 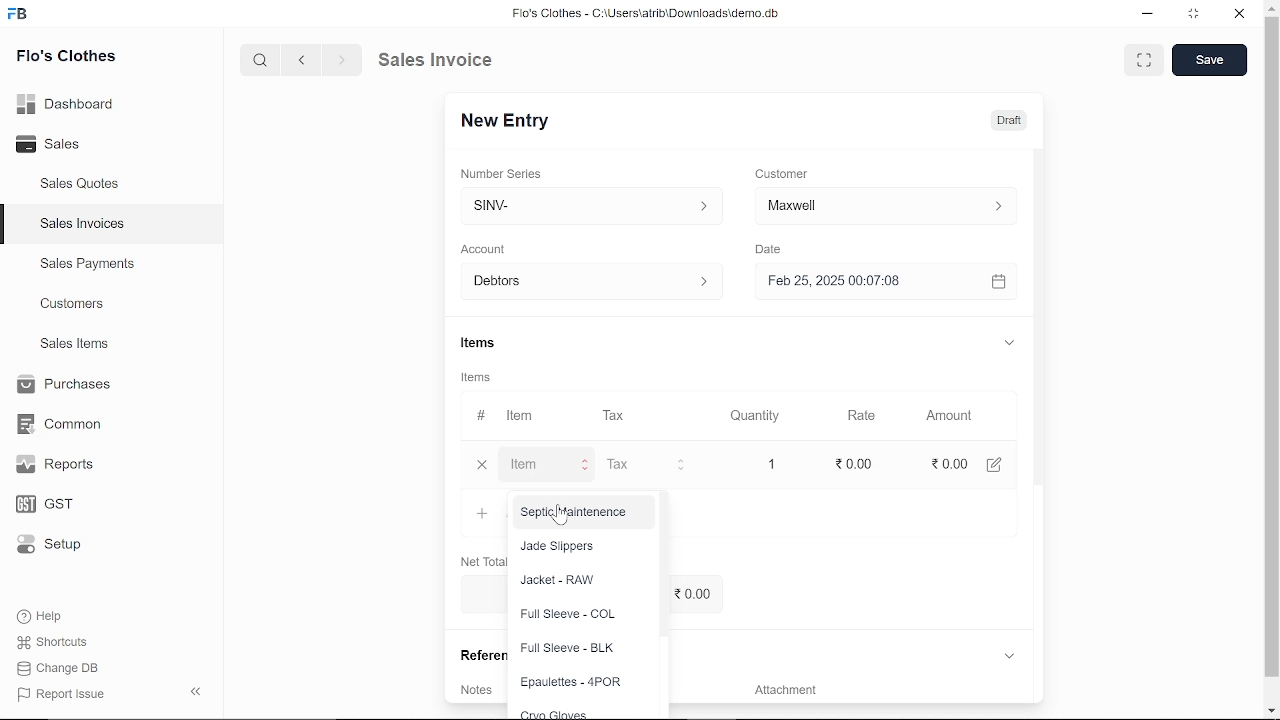 What do you see at coordinates (957, 417) in the screenshot?
I see `Amount` at bounding box center [957, 417].